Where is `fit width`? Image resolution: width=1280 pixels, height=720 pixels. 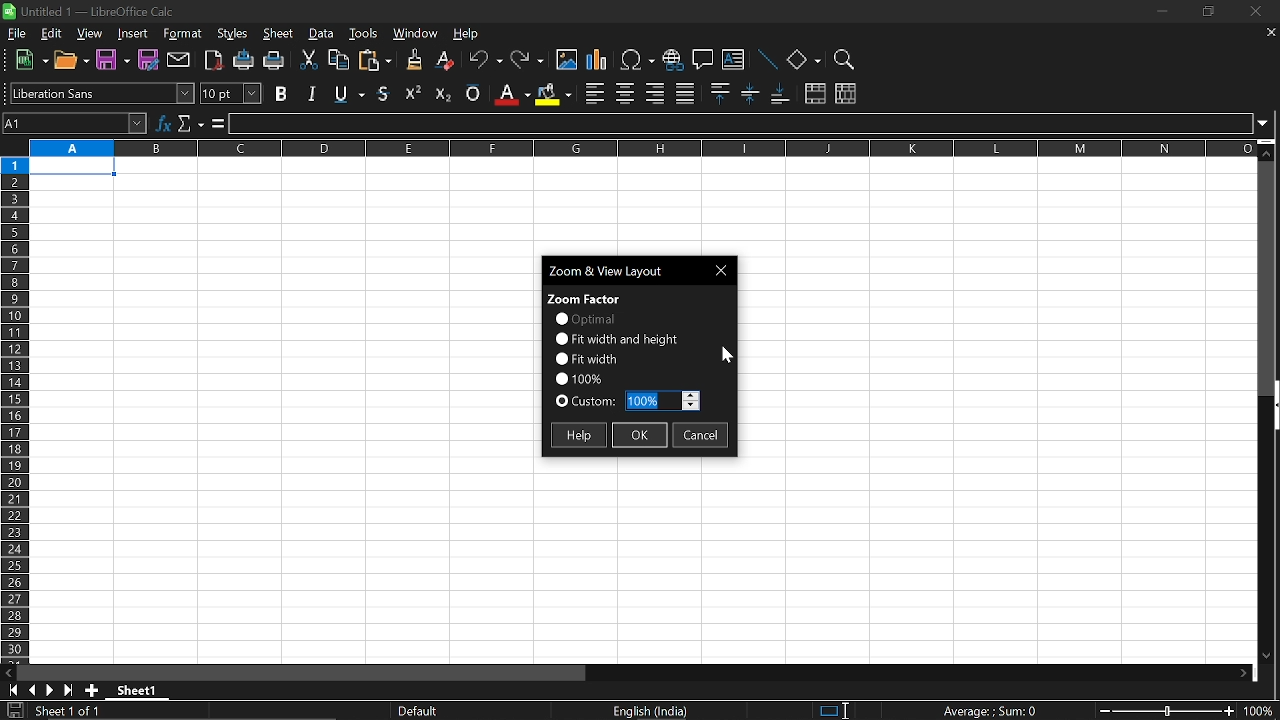 fit width is located at coordinates (586, 358).